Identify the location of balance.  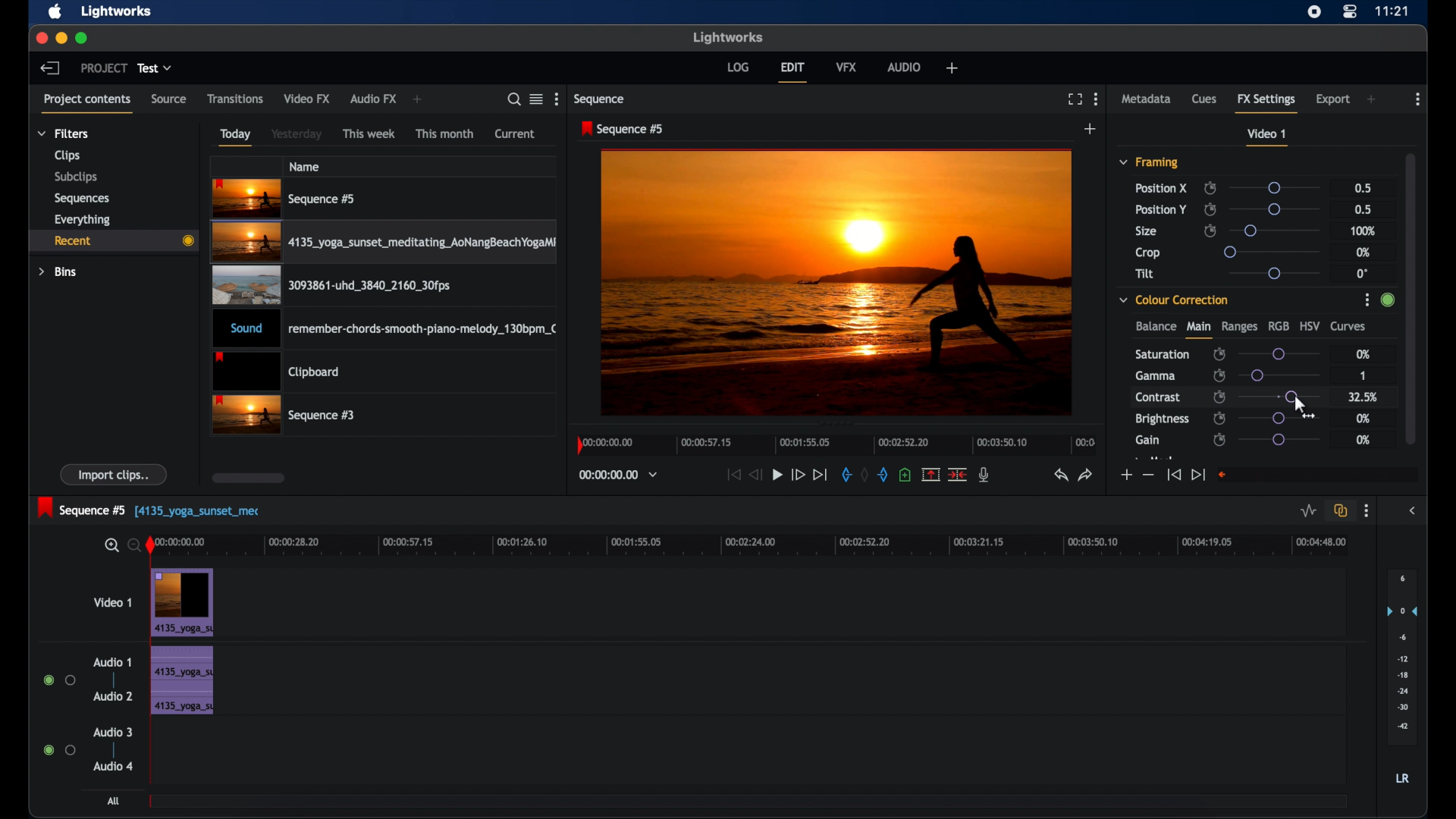
(1155, 326).